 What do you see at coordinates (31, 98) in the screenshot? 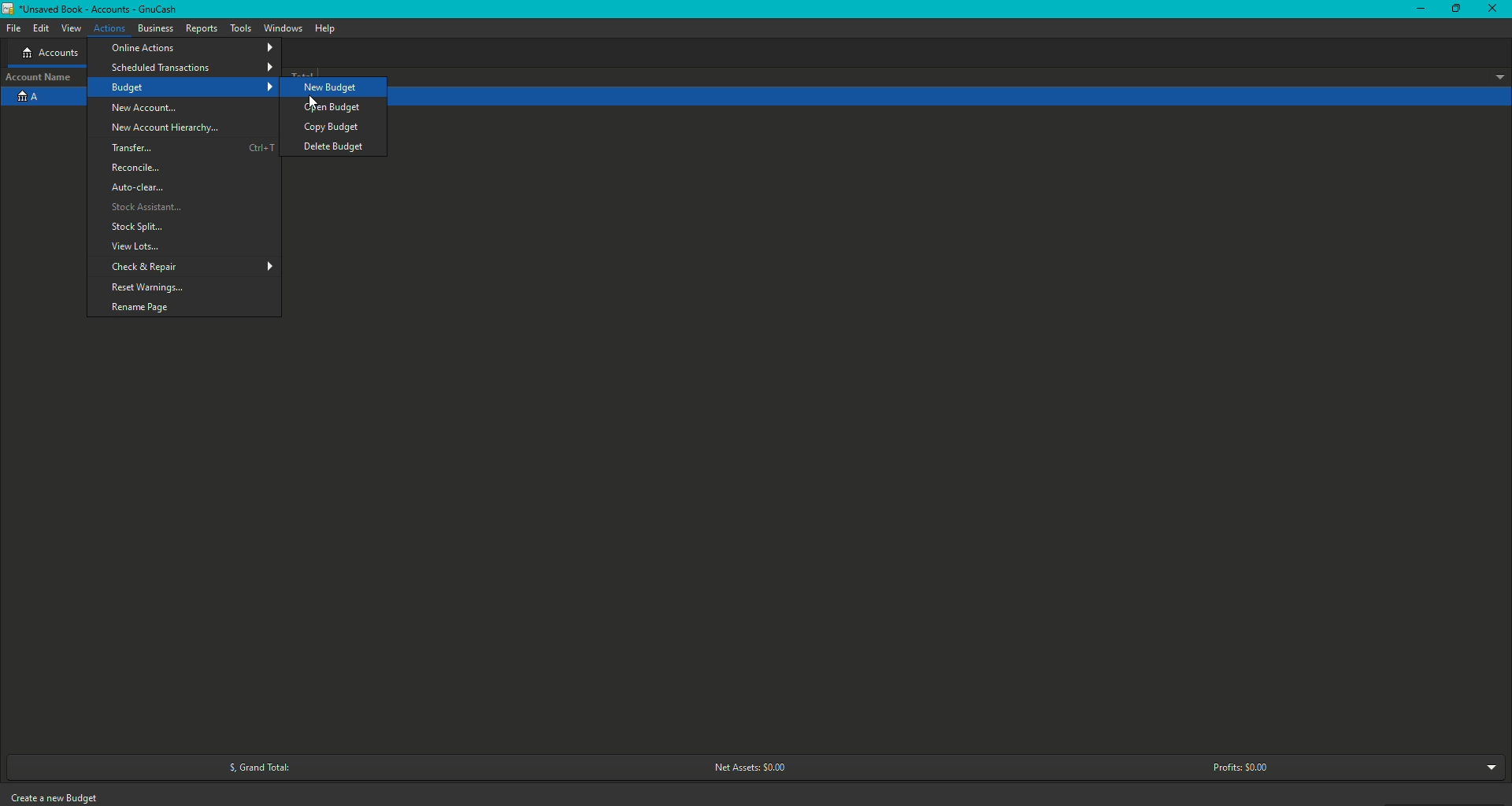
I see `Account A` at bounding box center [31, 98].